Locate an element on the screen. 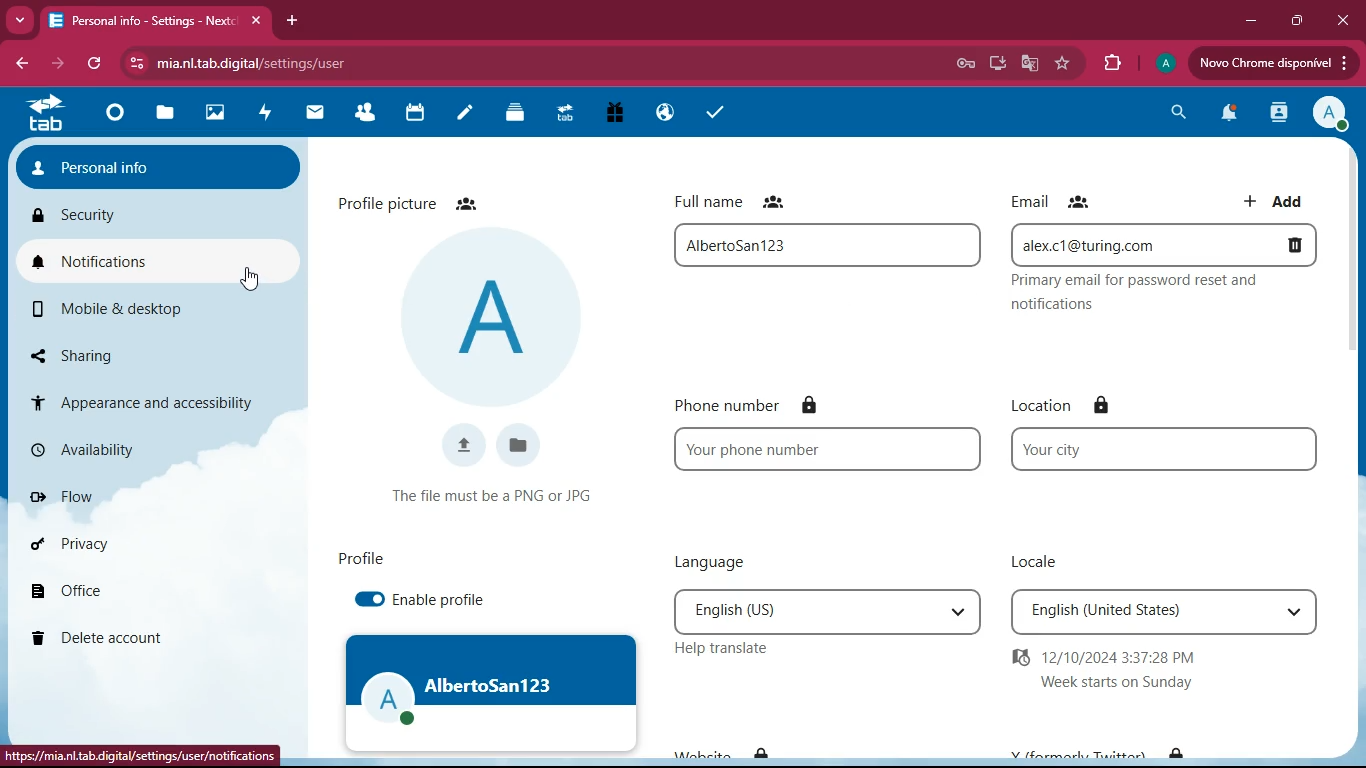  privacy is located at coordinates (121, 541).